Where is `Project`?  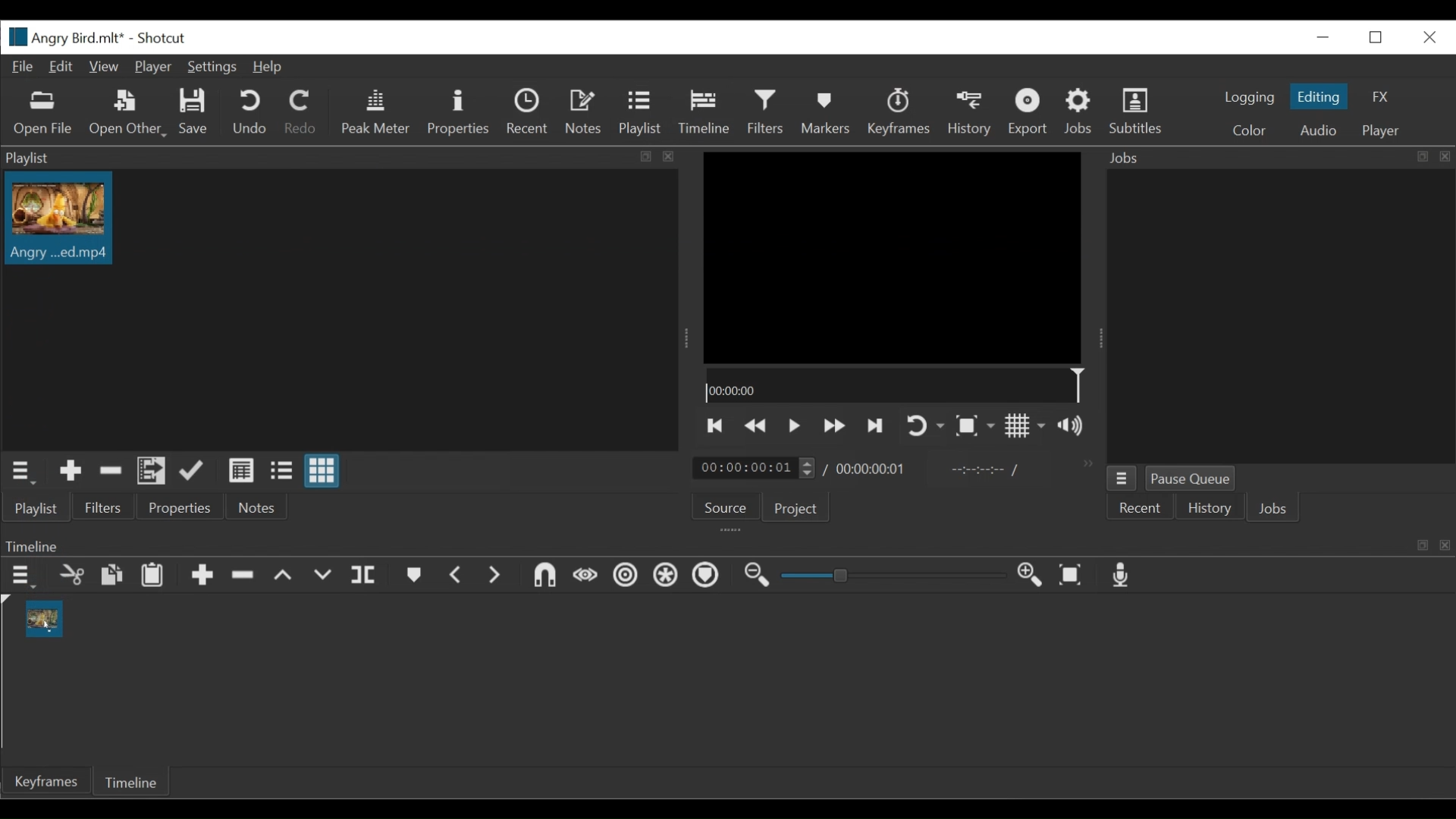
Project is located at coordinates (799, 510).